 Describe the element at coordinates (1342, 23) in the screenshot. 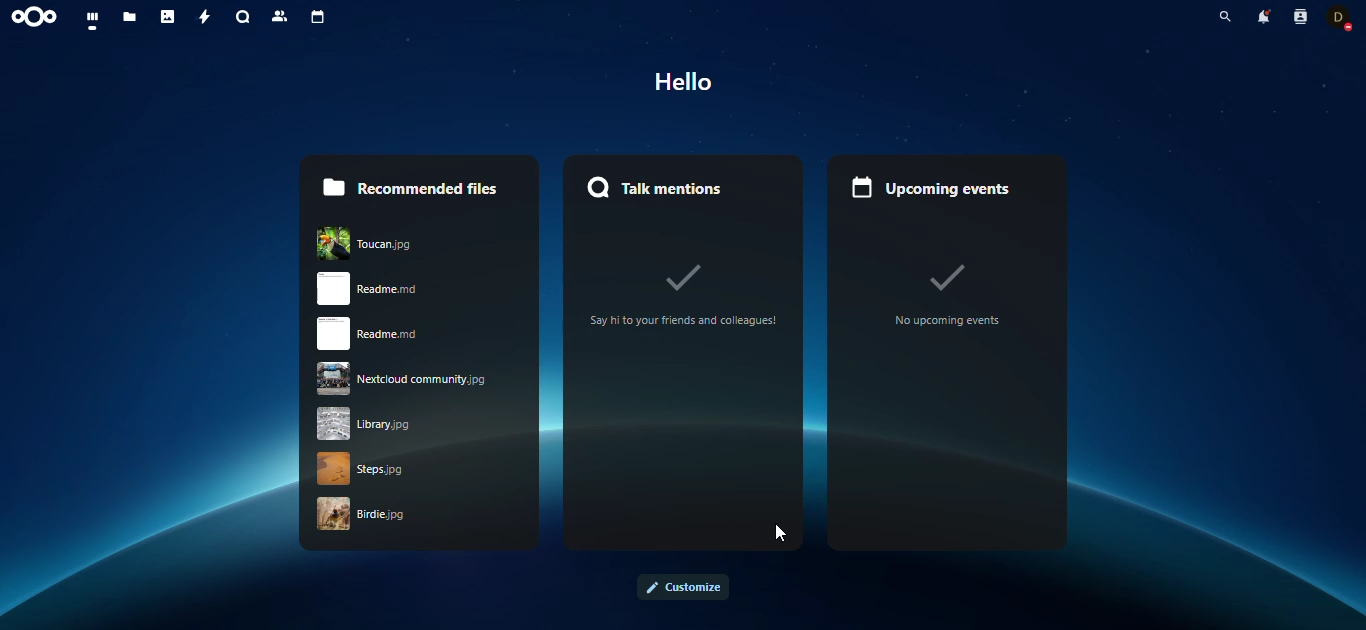

I see `status changed` at that location.